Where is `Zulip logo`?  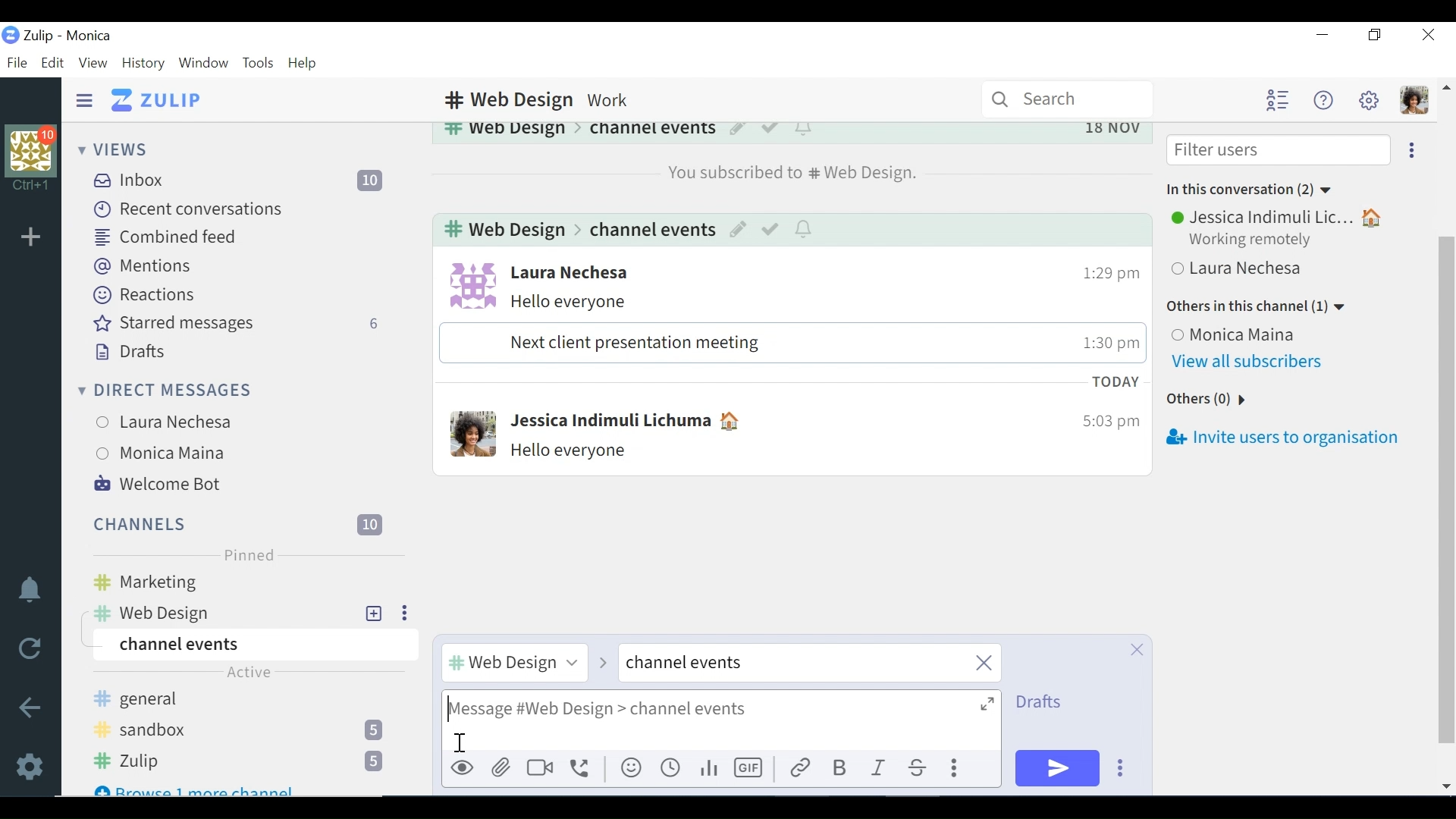 Zulip logo is located at coordinates (10, 35).